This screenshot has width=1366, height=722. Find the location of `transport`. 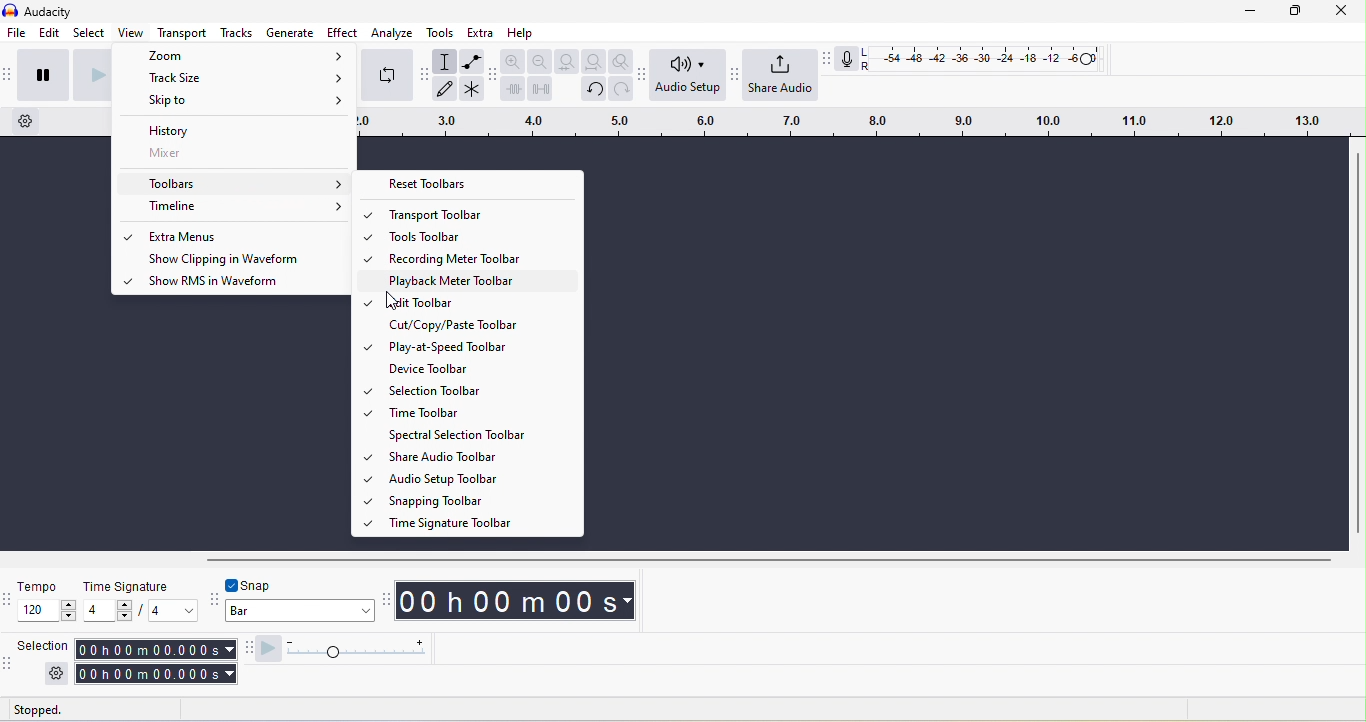

transport is located at coordinates (182, 32).